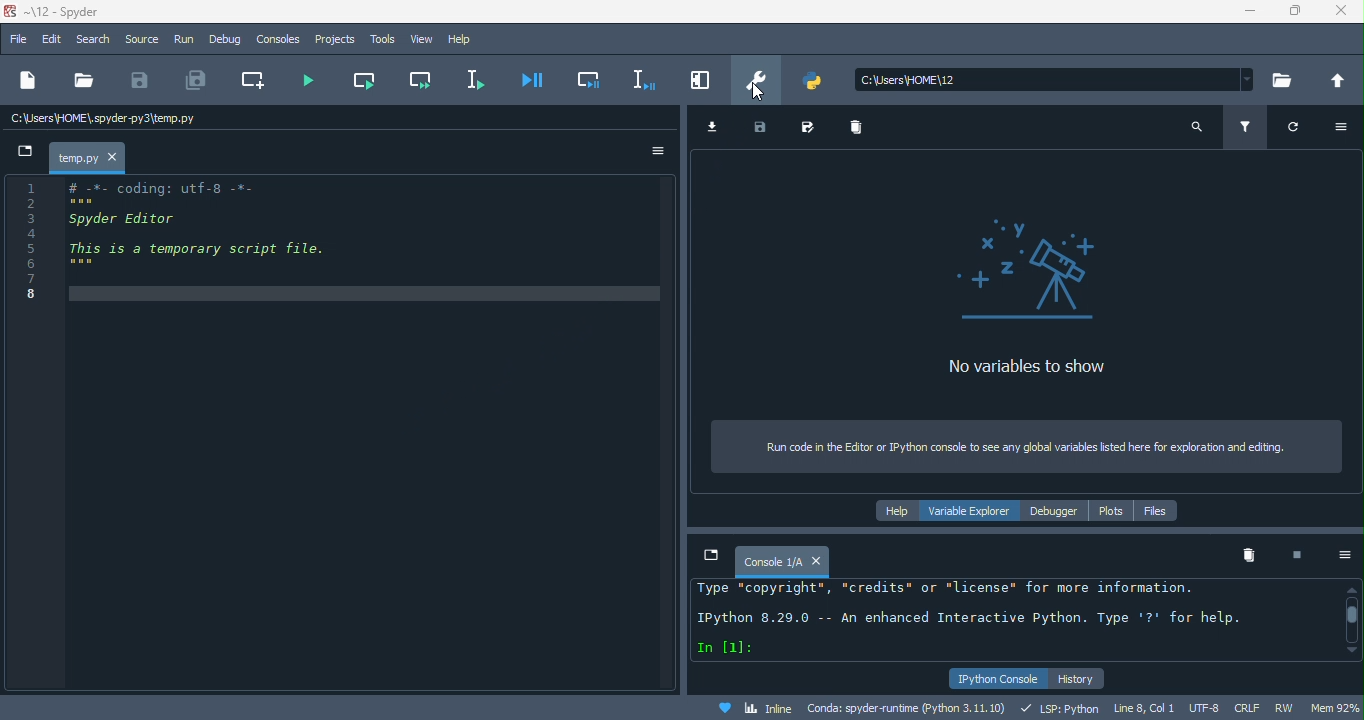  I want to click on temp.py, so click(78, 158).